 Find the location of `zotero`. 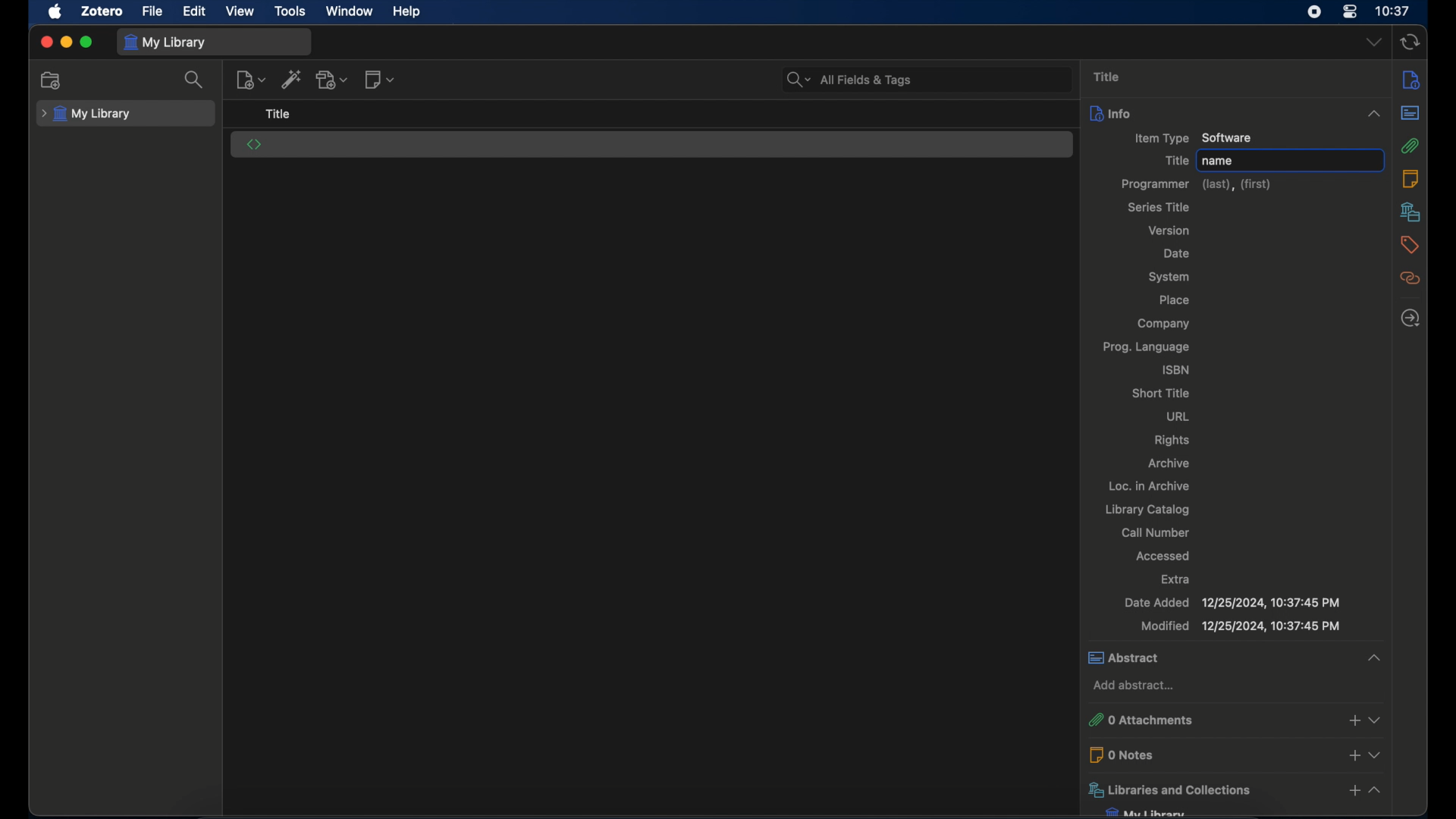

zotero is located at coordinates (104, 11).